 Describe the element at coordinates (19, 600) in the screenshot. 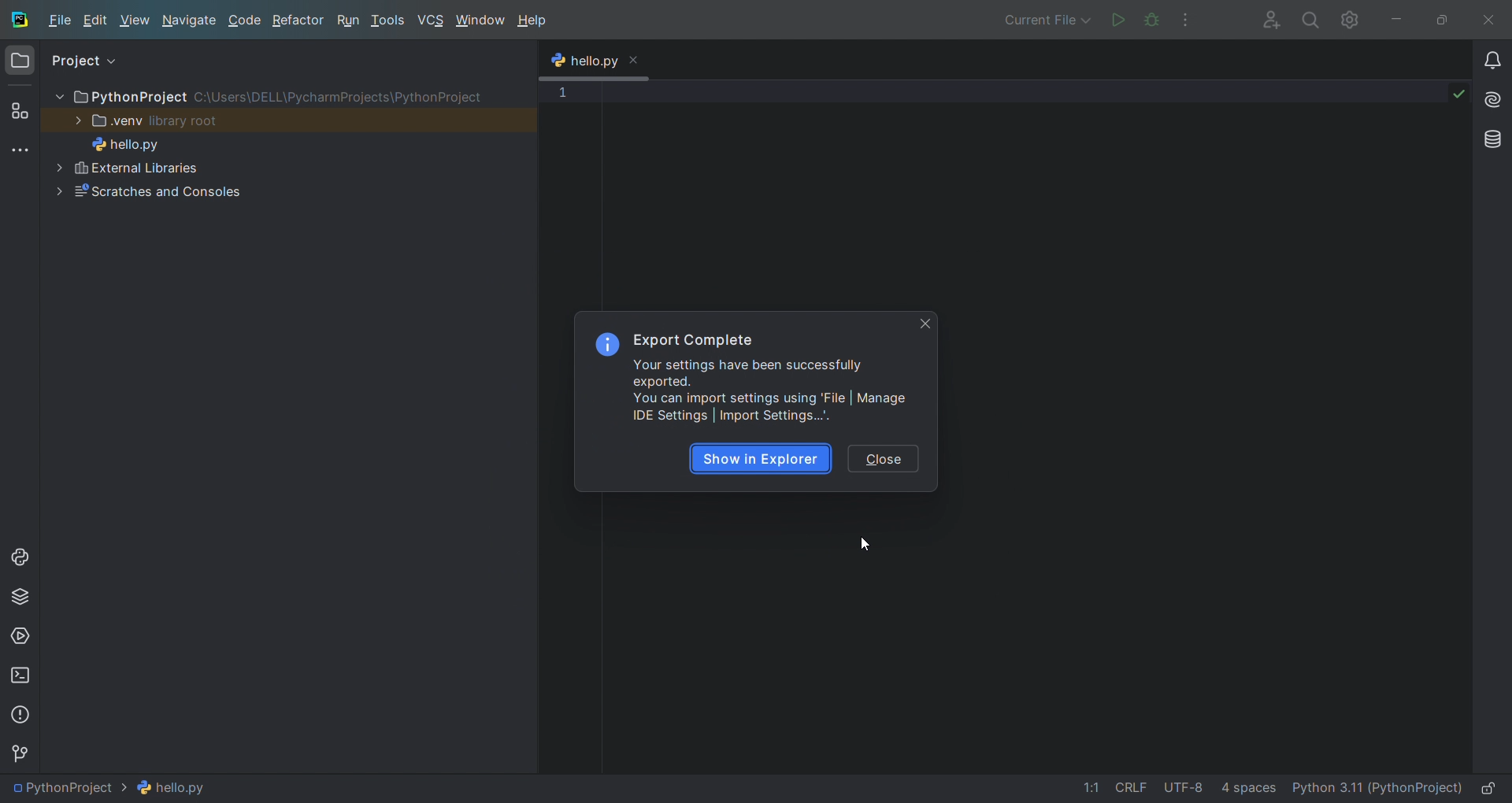

I see `python package` at that location.